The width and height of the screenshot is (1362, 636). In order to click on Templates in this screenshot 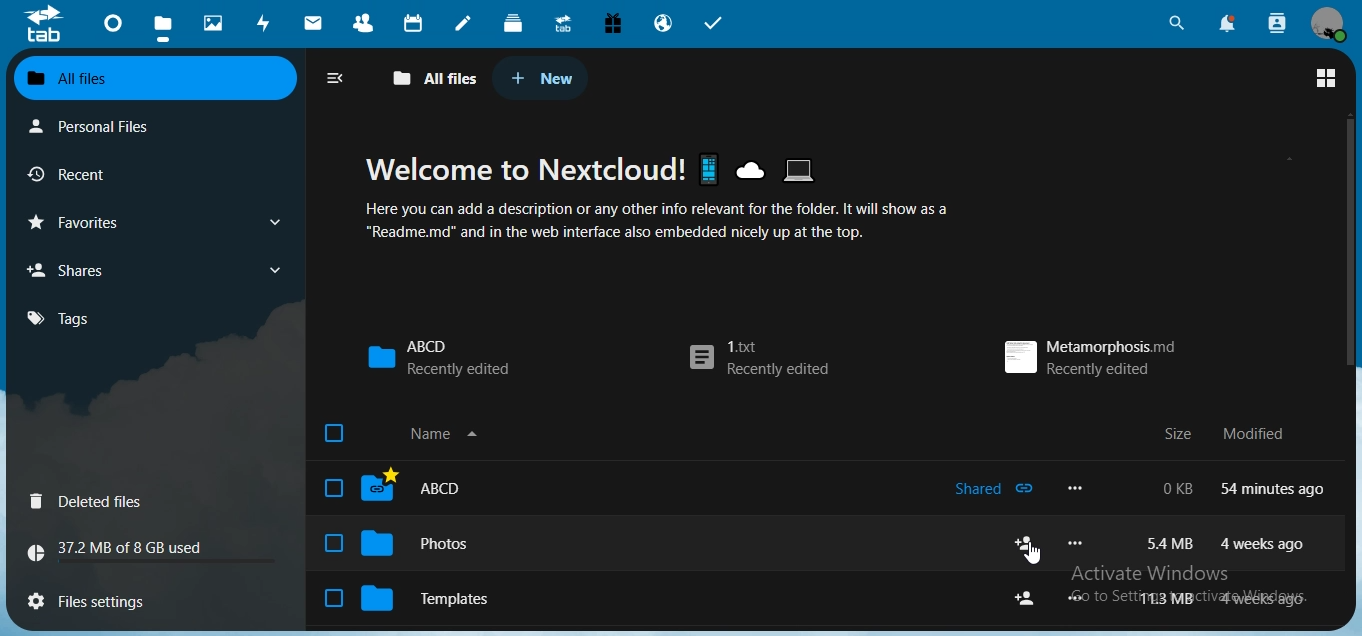, I will do `click(447, 600)`.